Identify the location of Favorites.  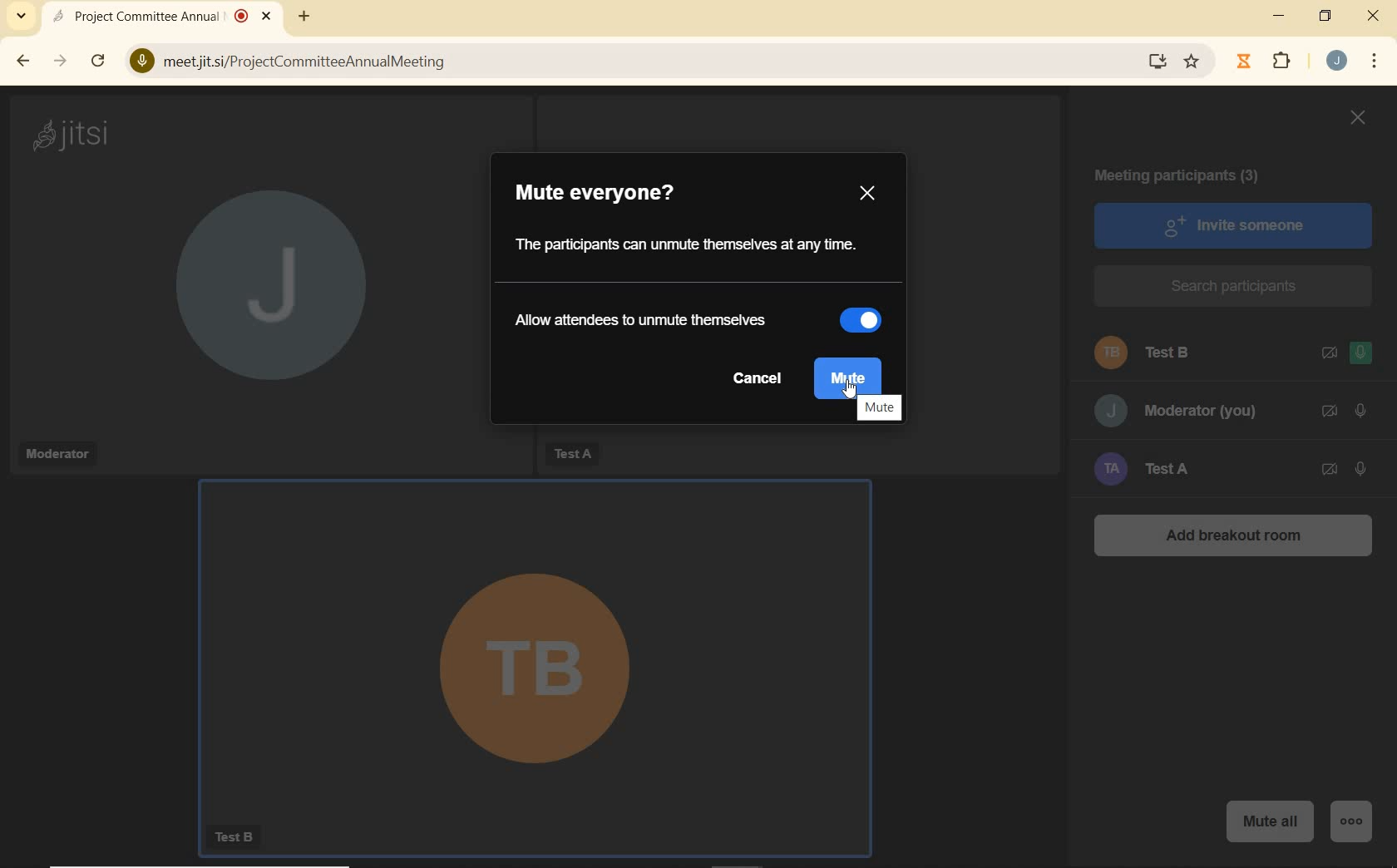
(1196, 60).